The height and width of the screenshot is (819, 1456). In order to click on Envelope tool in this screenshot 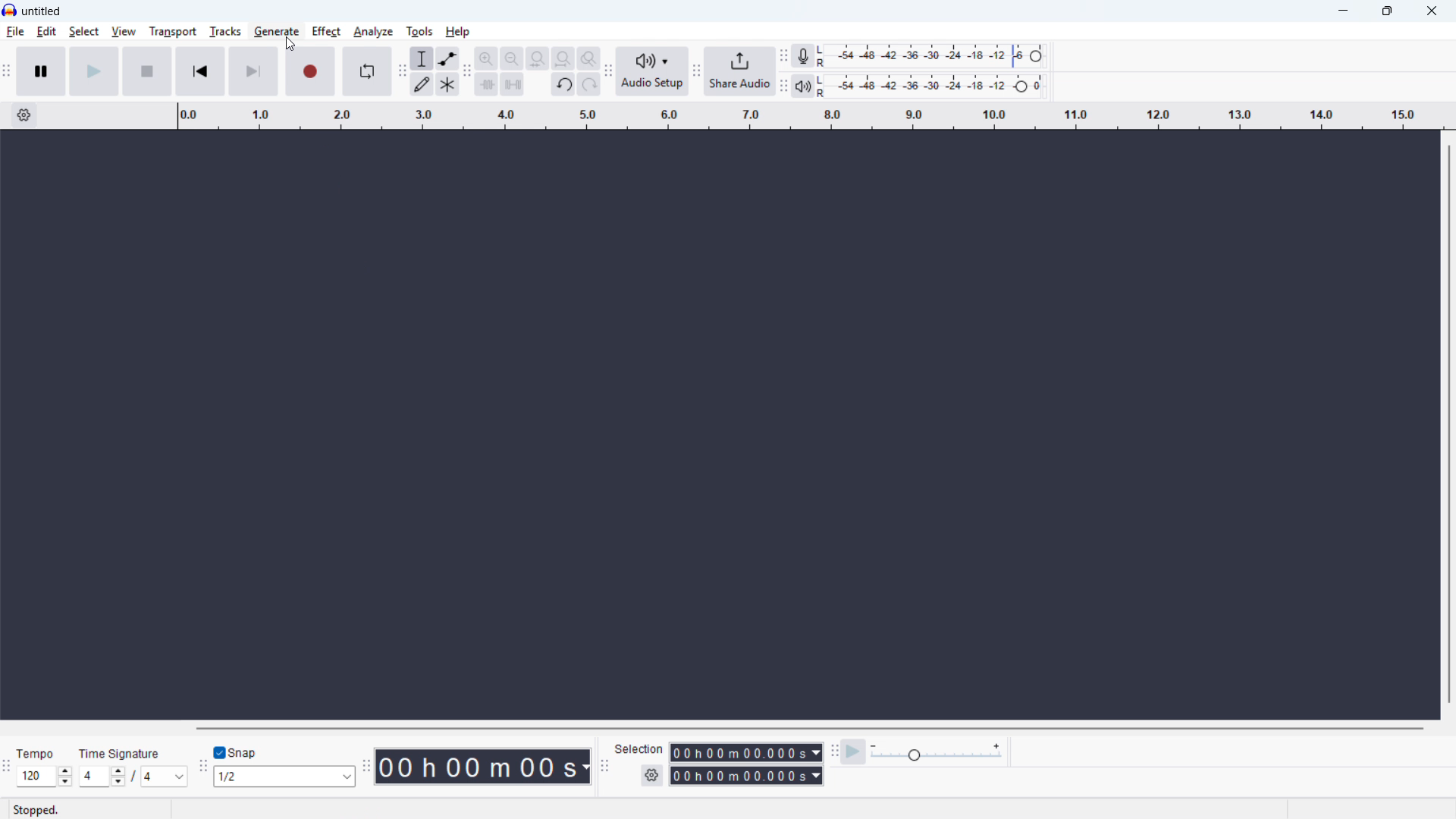, I will do `click(448, 58)`.